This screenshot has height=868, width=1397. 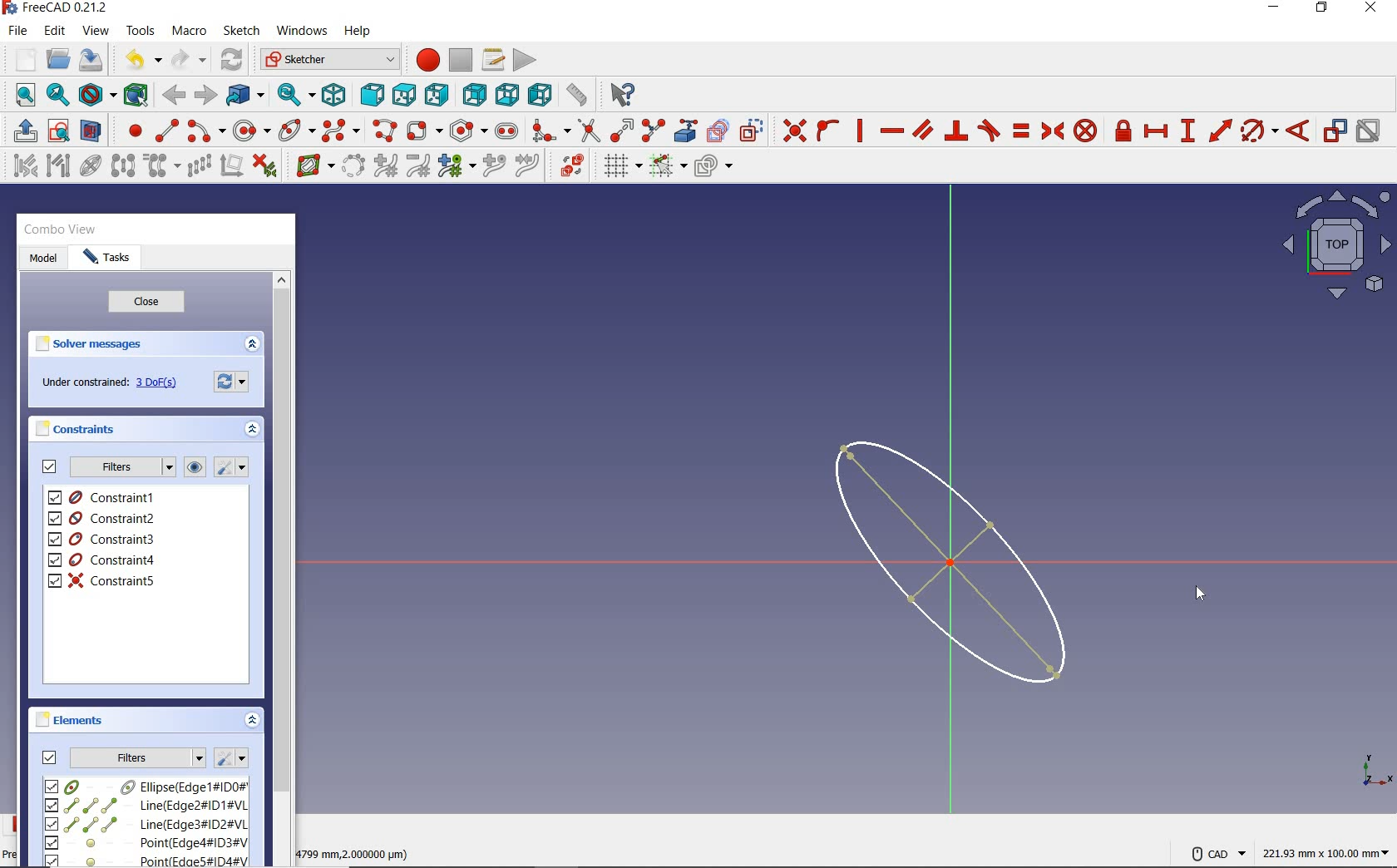 I want to click on constraint2, so click(x=103, y=518).